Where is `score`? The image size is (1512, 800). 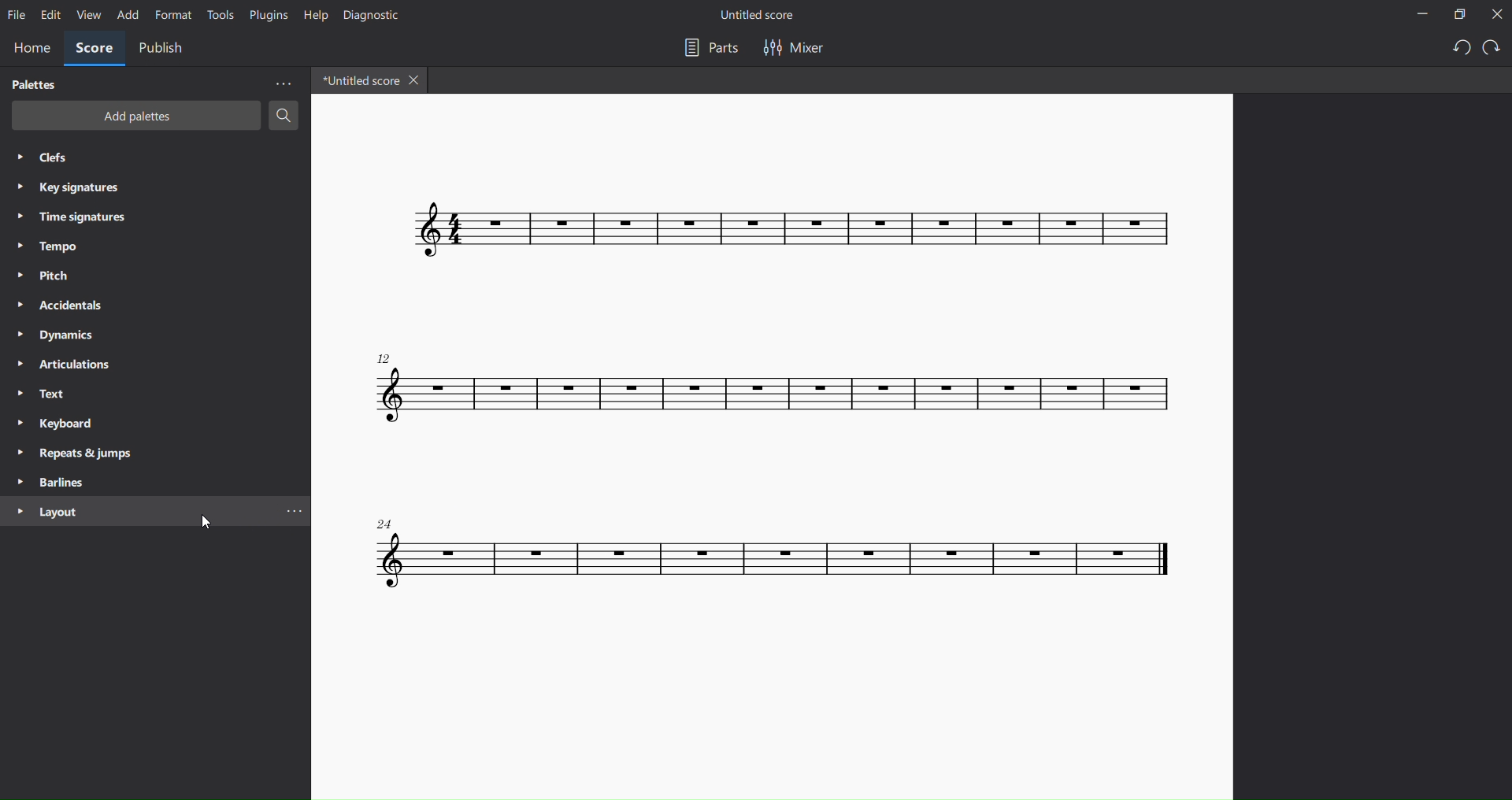
score is located at coordinates (777, 559).